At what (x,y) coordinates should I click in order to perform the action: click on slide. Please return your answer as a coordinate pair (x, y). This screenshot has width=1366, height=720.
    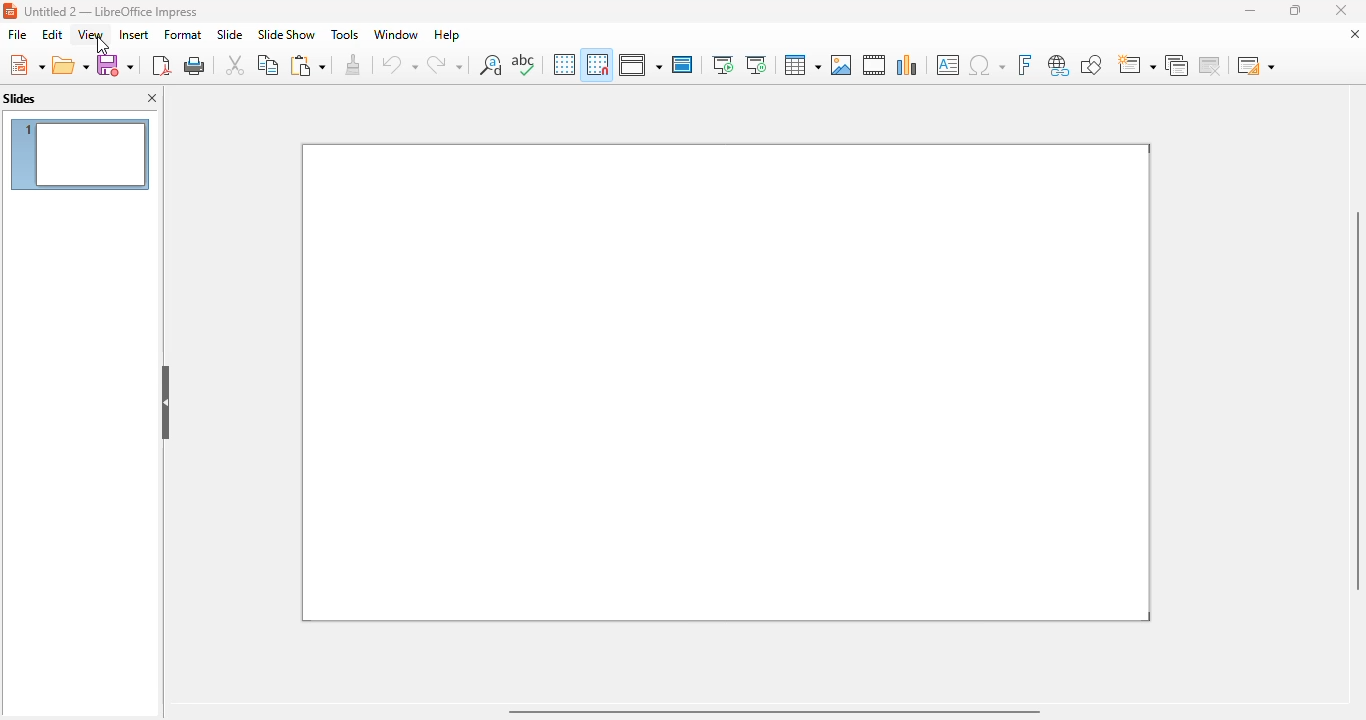
    Looking at the image, I should click on (230, 34).